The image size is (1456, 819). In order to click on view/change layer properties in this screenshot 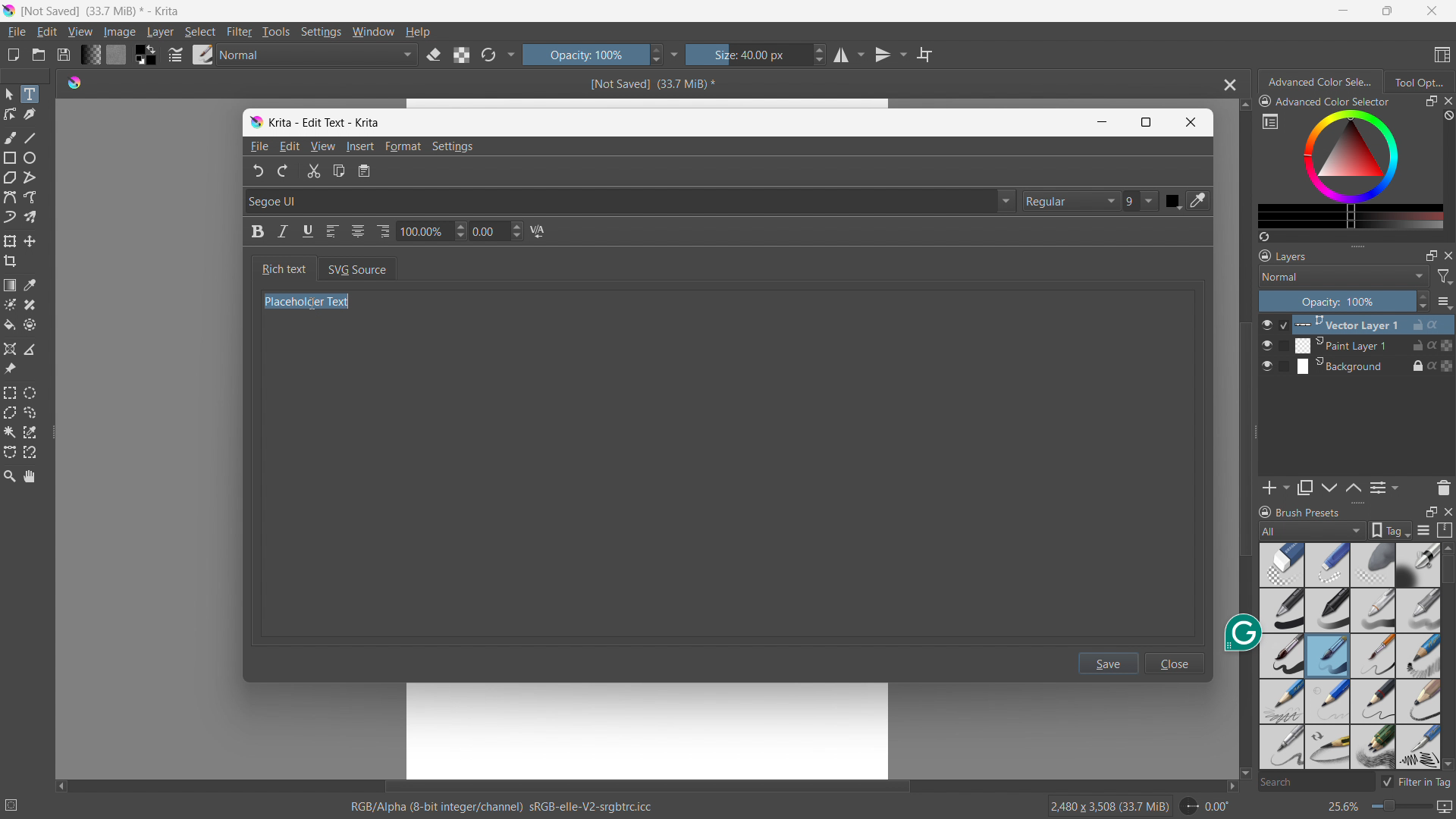, I will do `click(1383, 487)`.